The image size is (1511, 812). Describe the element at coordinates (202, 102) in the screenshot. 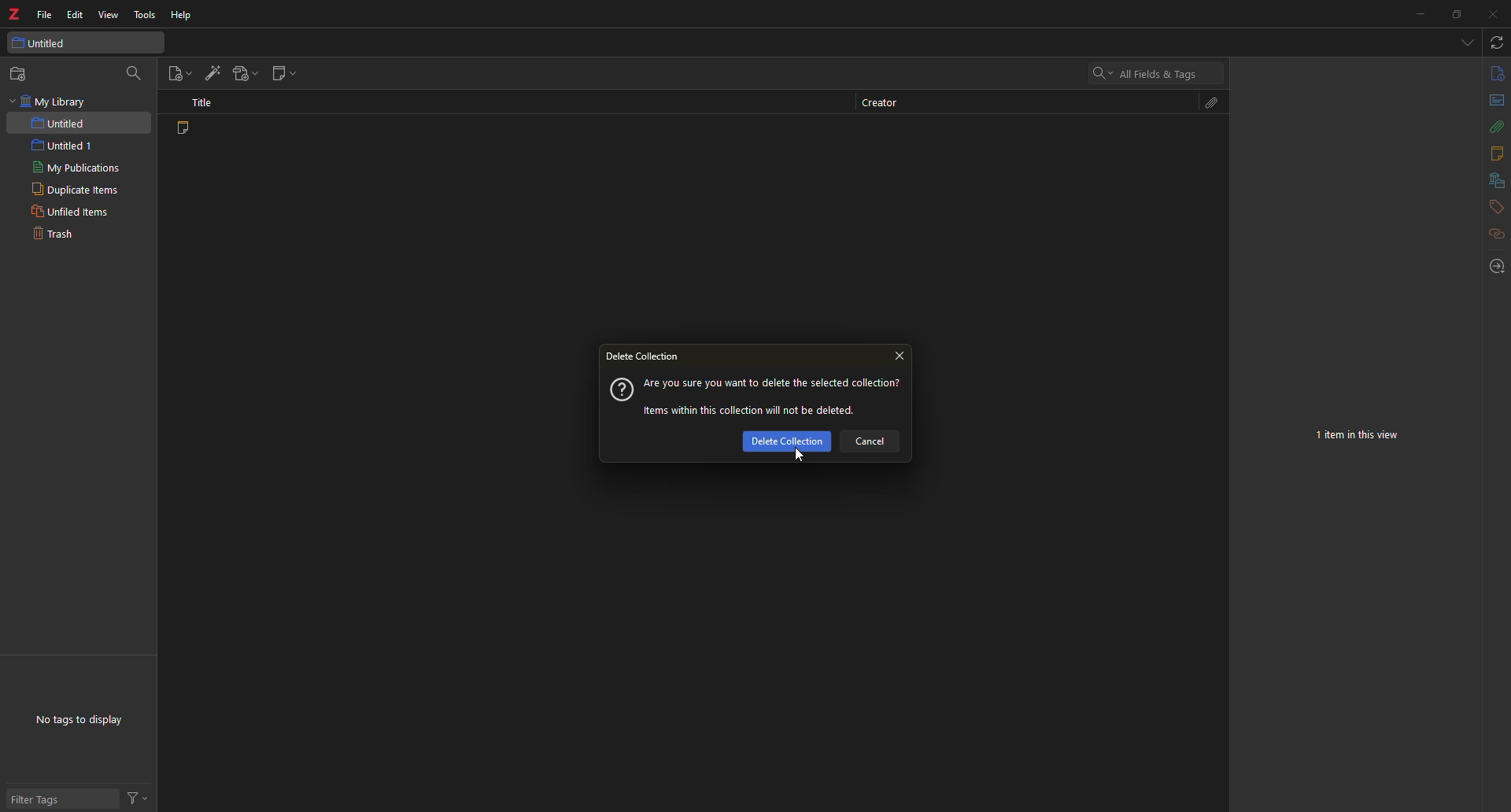

I see `title` at that location.